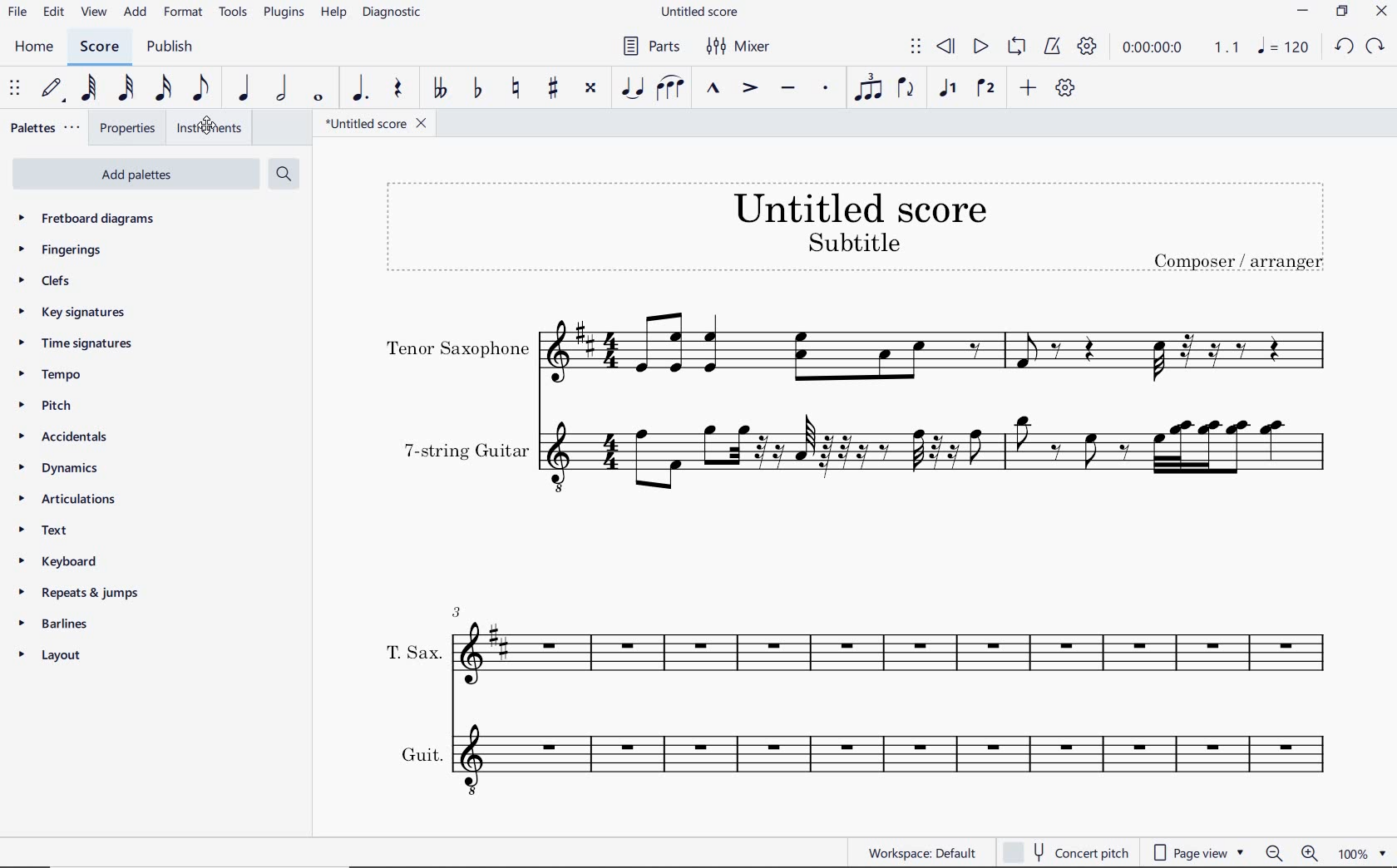  Describe the element at coordinates (165, 87) in the screenshot. I see `16TH NOTE` at that location.